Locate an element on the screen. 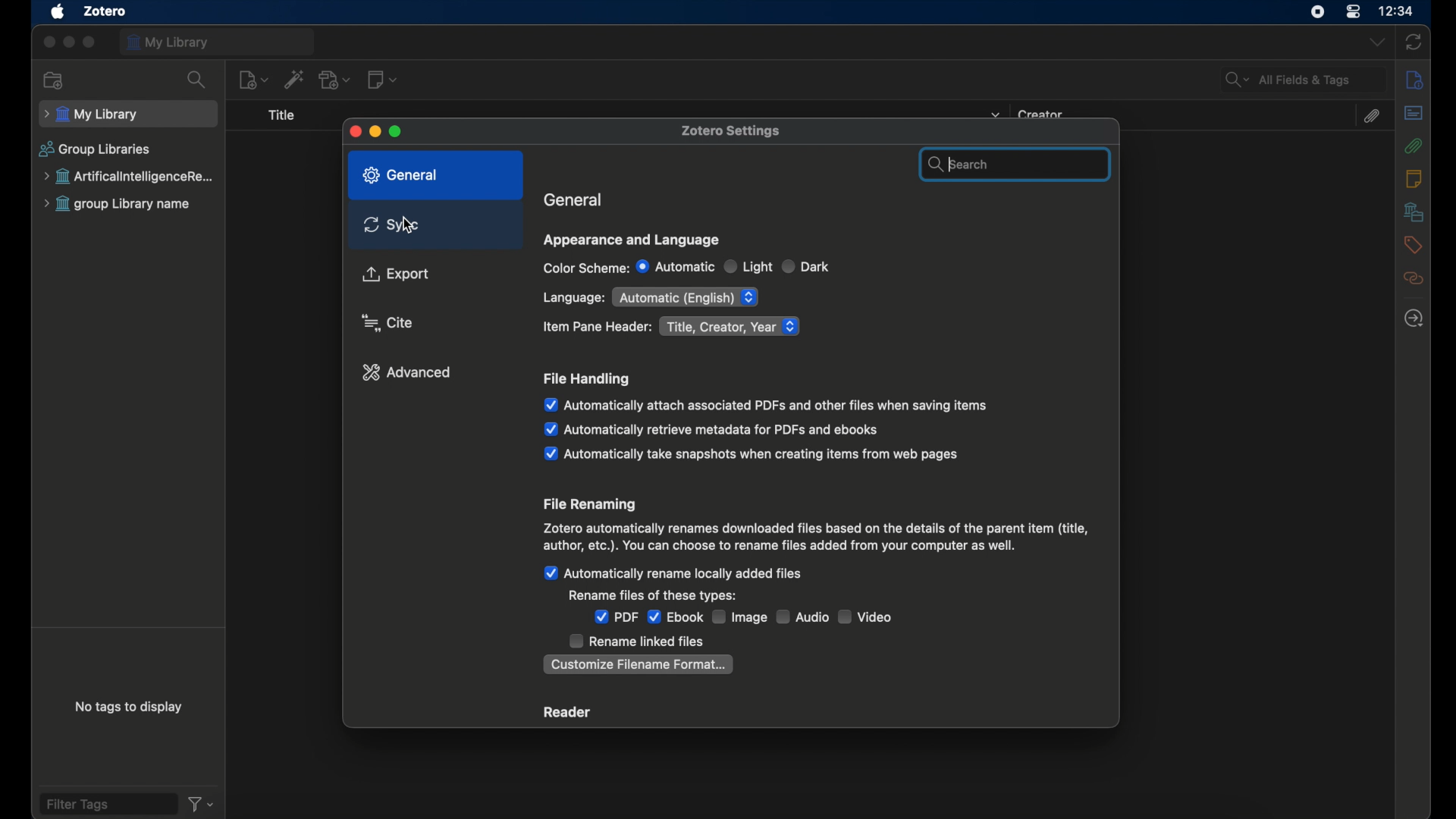  minimize is located at coordinates (68, 42).